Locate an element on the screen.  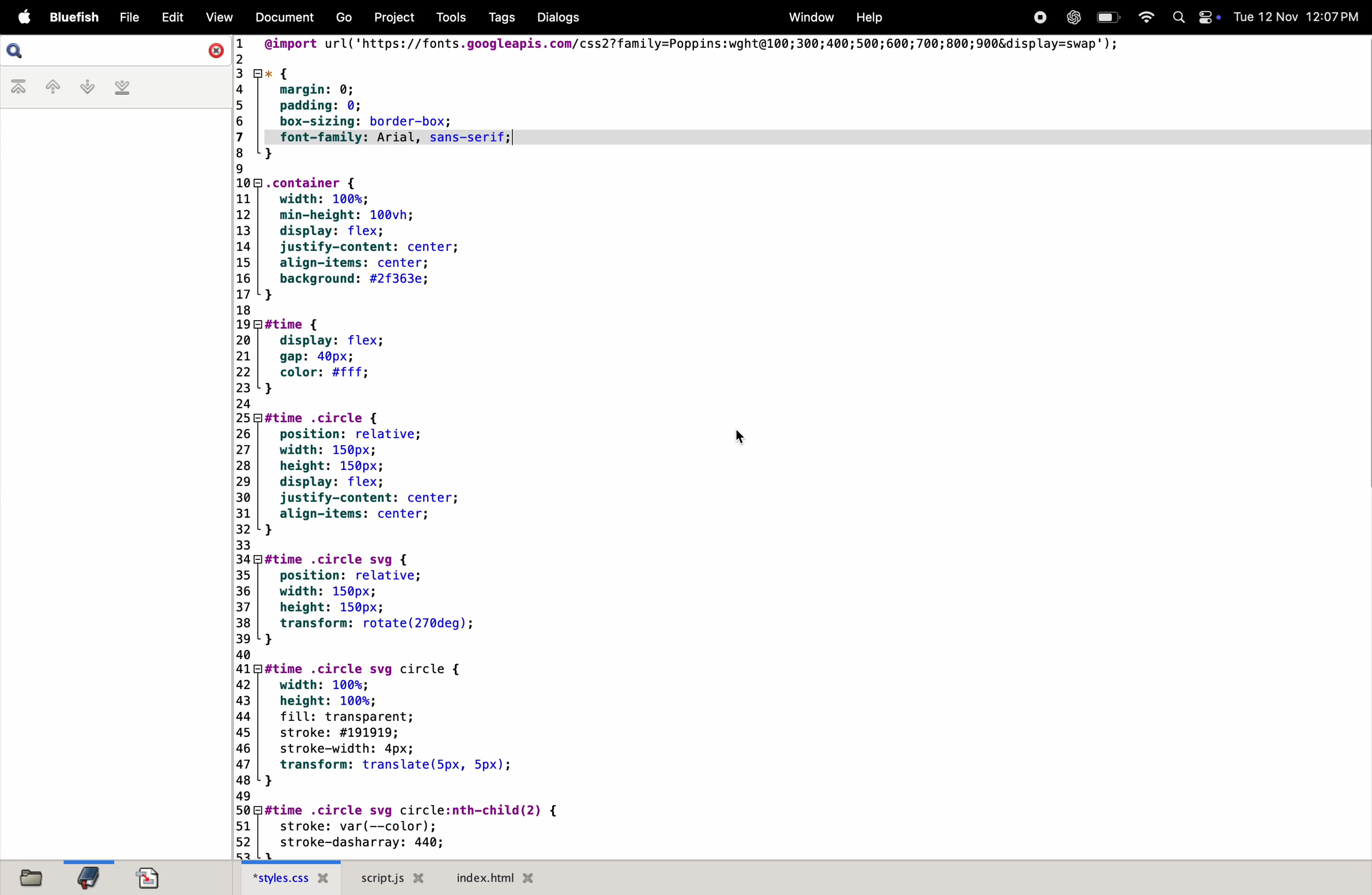
go is located at coordinates (345, 18).